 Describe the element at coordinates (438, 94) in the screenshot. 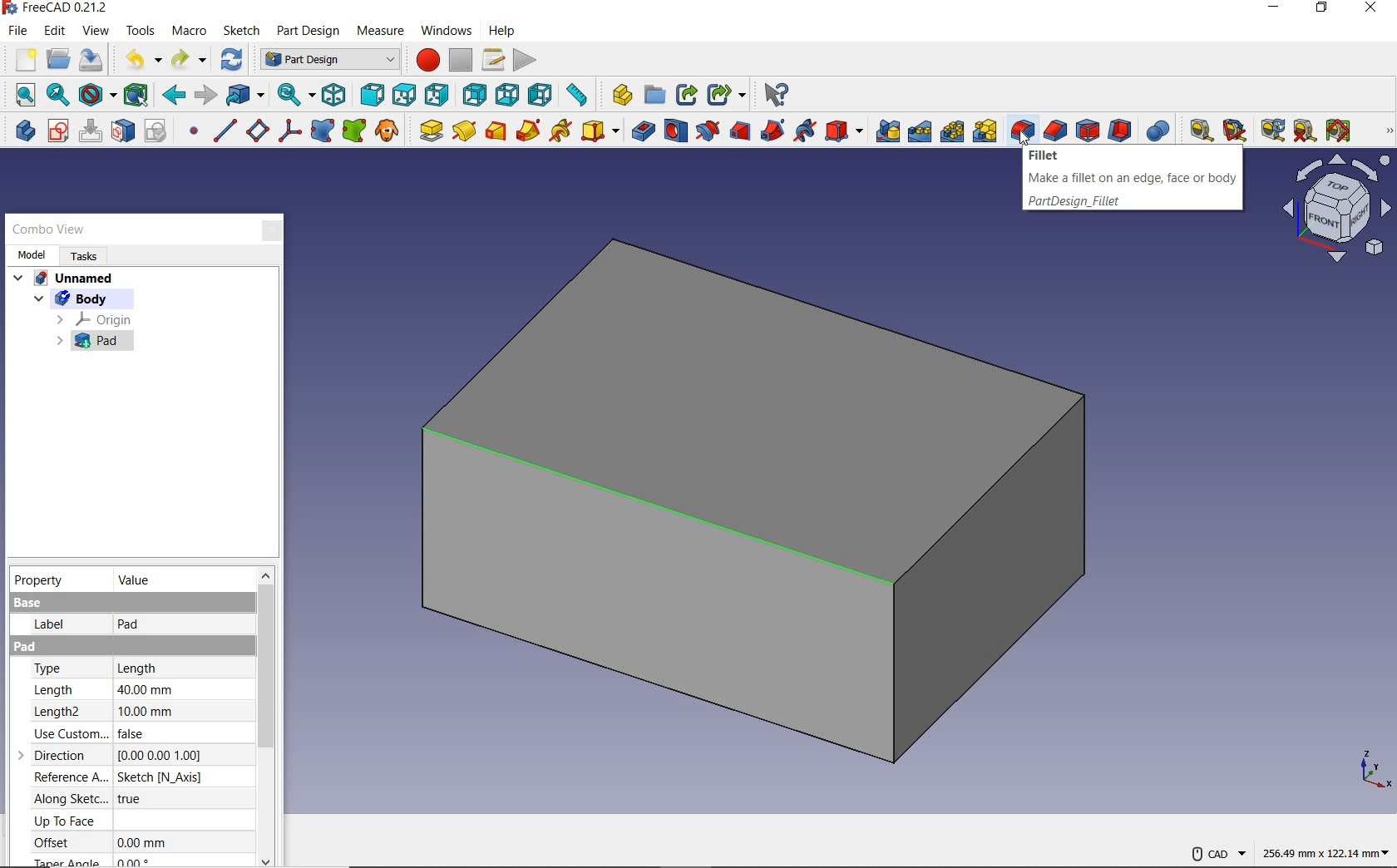

I see `right` at that location.